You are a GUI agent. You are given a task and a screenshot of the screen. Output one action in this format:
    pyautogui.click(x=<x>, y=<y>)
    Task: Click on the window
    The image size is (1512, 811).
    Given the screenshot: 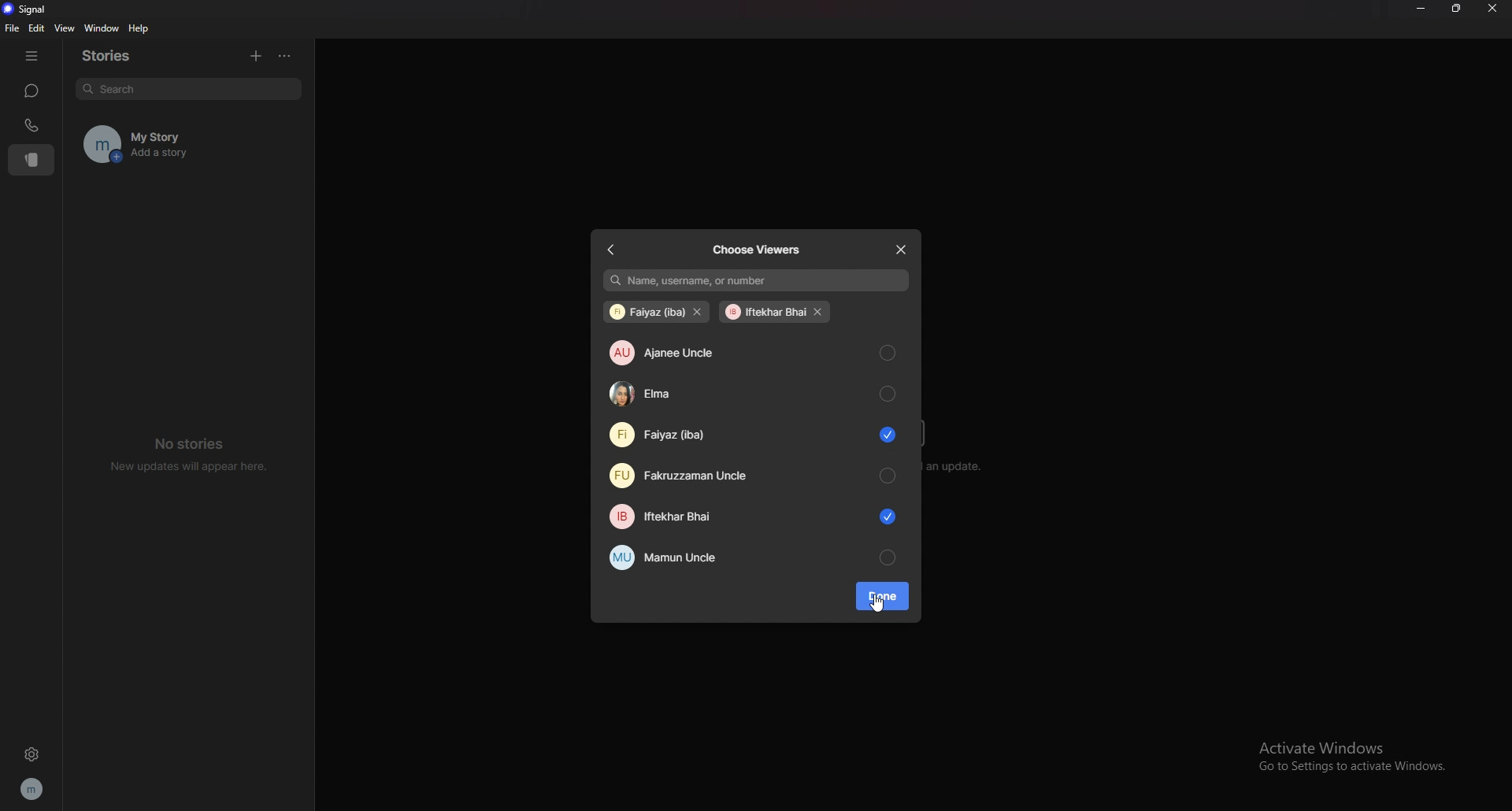 What is the action you would take?
    pyautogui.click(x=102, y=28)
    